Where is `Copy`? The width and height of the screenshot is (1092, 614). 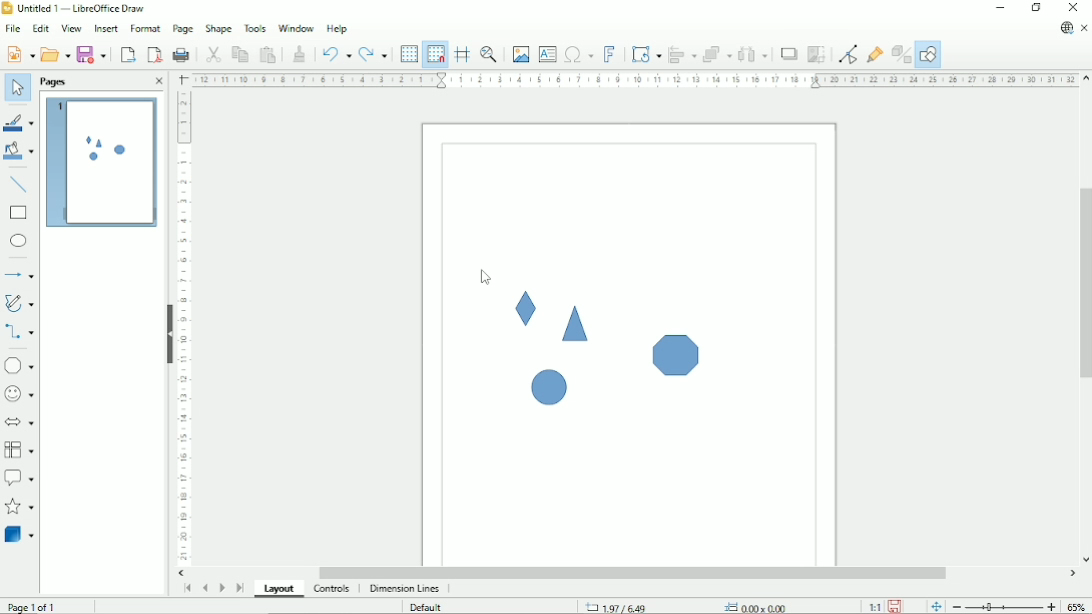 Copy is located at coordinates (239, 53).